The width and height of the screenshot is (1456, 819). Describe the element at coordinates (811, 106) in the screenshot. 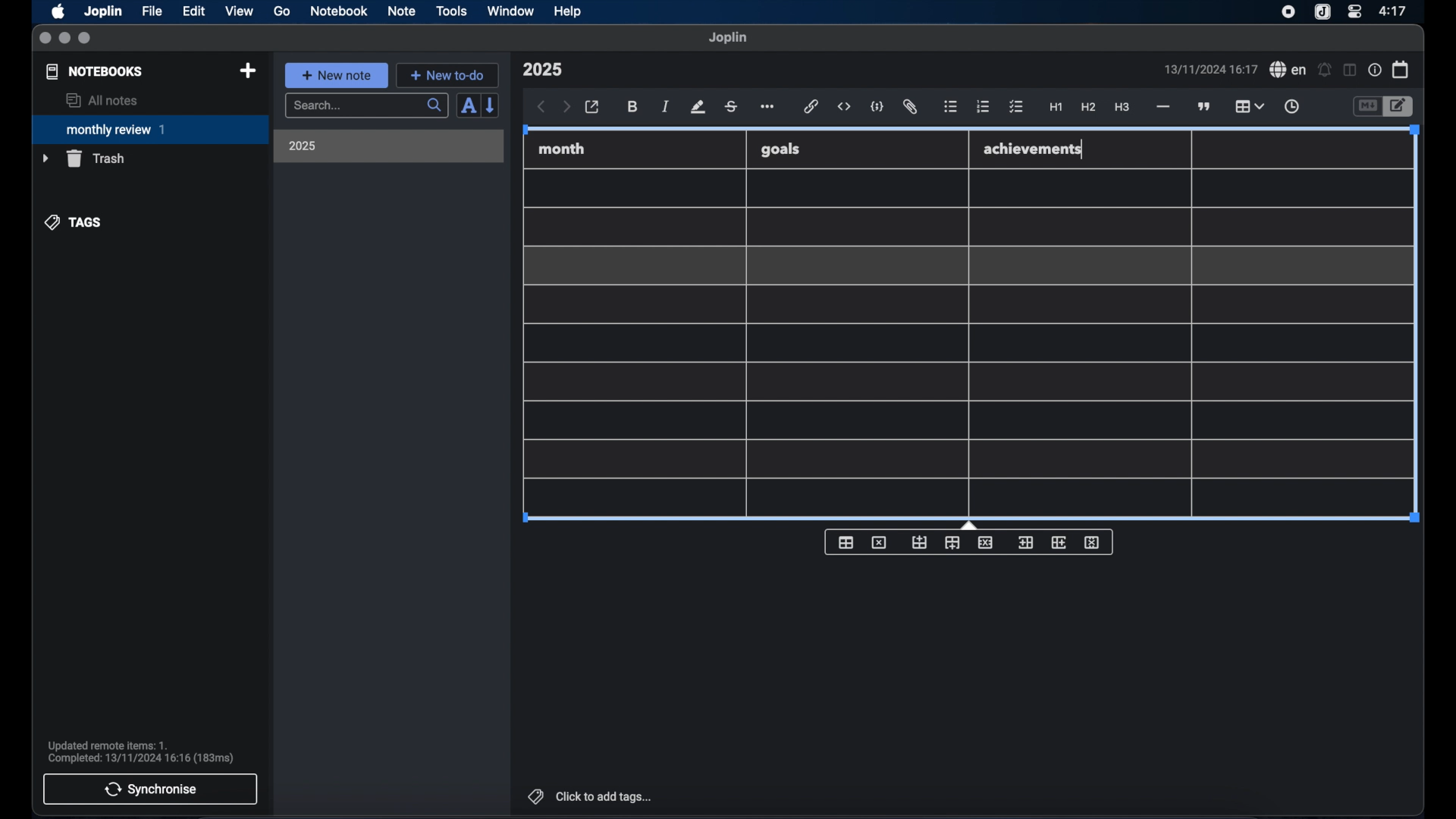

I see `hyperlink` at that location.